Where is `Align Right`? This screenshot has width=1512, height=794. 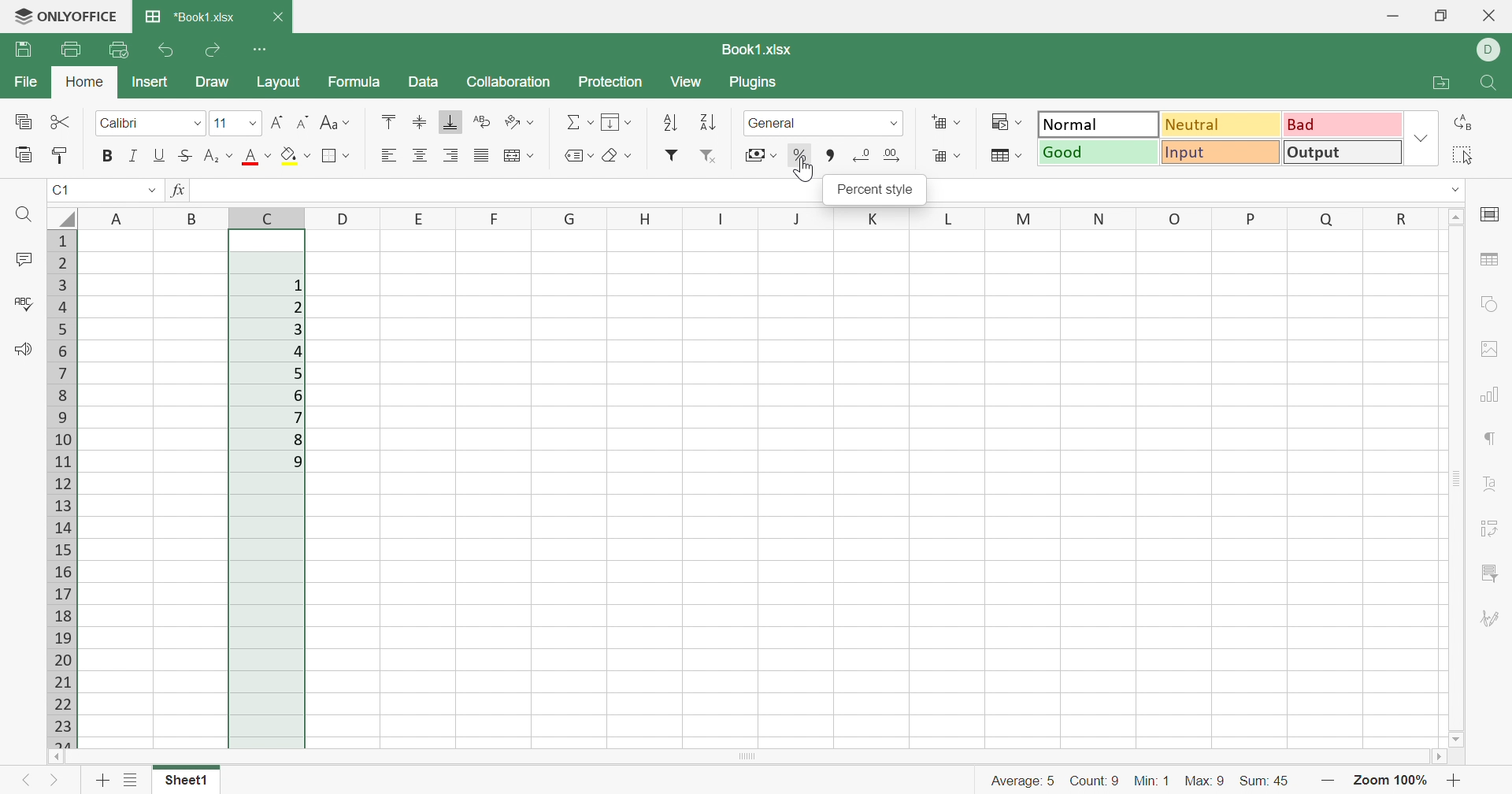 Align Right is located at coordinates (452, 154).